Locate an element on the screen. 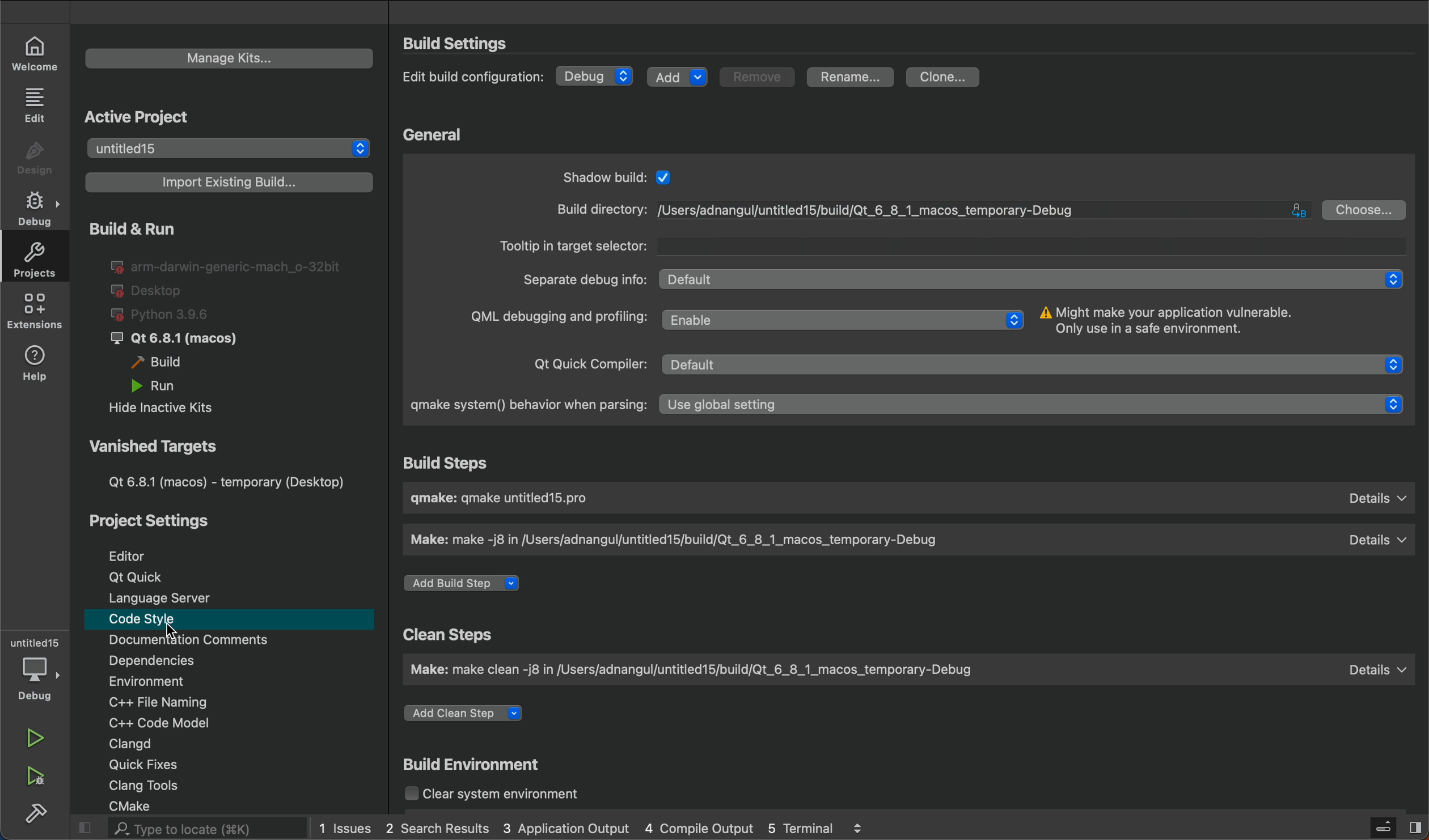  debug is located at coordinates (601, 74).